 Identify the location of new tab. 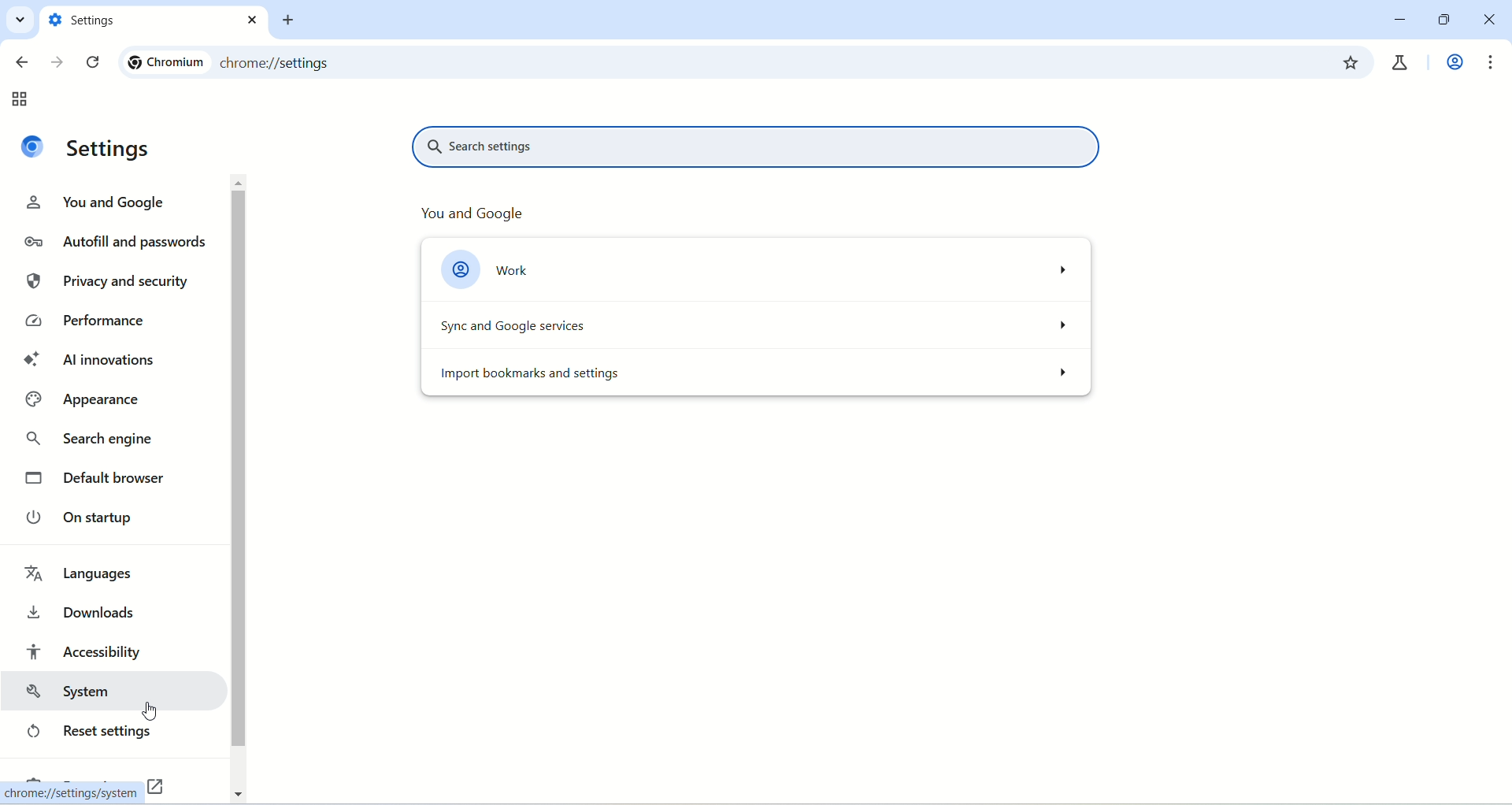
(292, 20).